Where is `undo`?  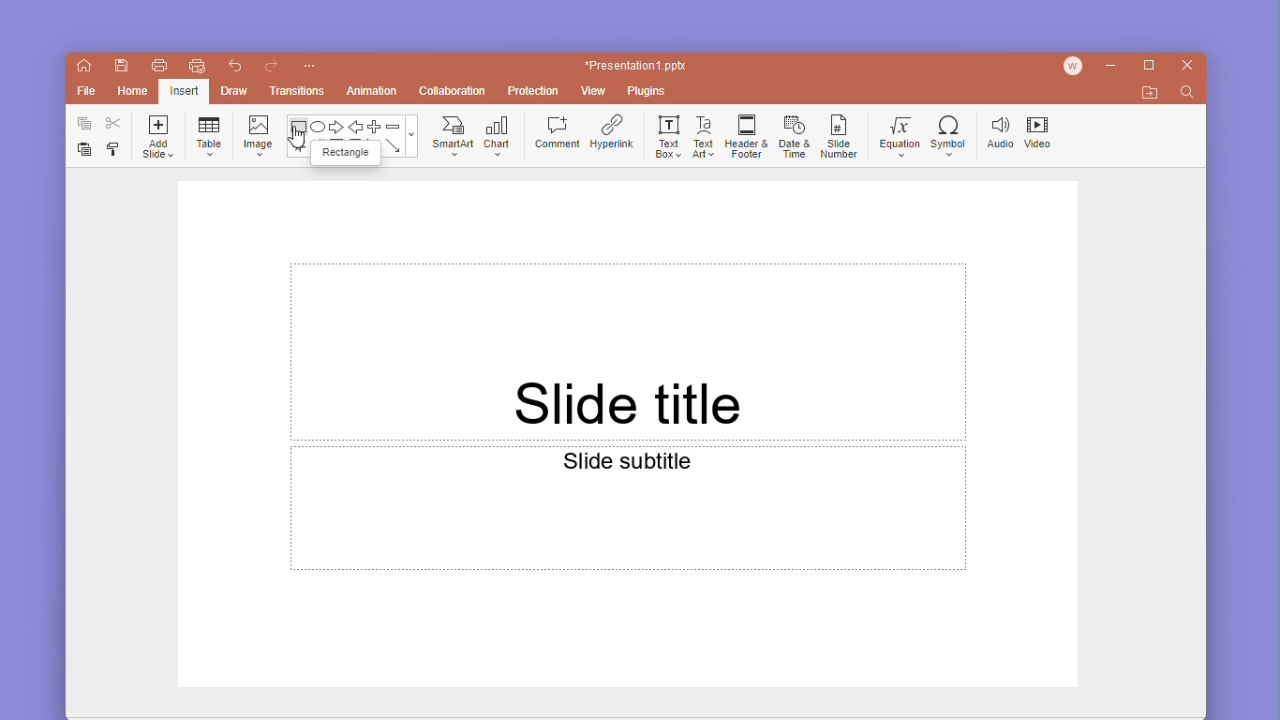
undo is located at coordinates (233, 65).